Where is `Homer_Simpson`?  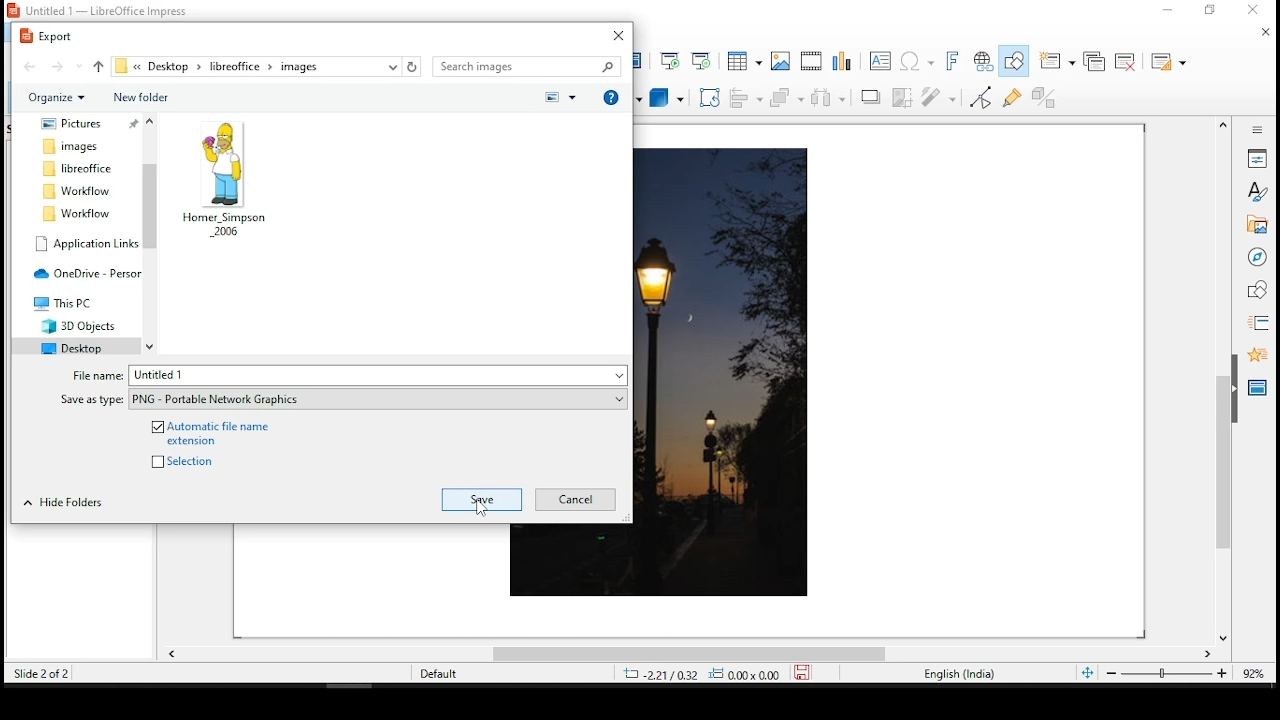
Homer_Simpson is located at coordinates (226, 179).